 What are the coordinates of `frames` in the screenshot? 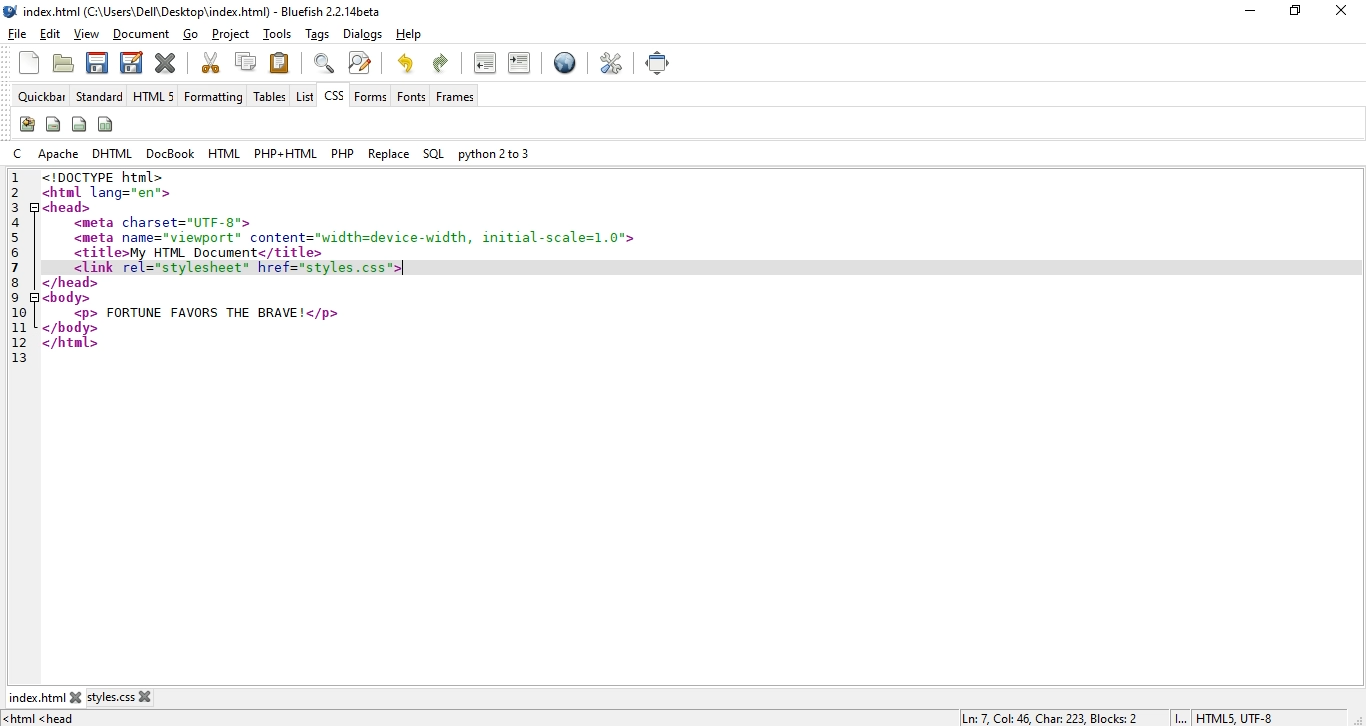 It's located at (456, 97).